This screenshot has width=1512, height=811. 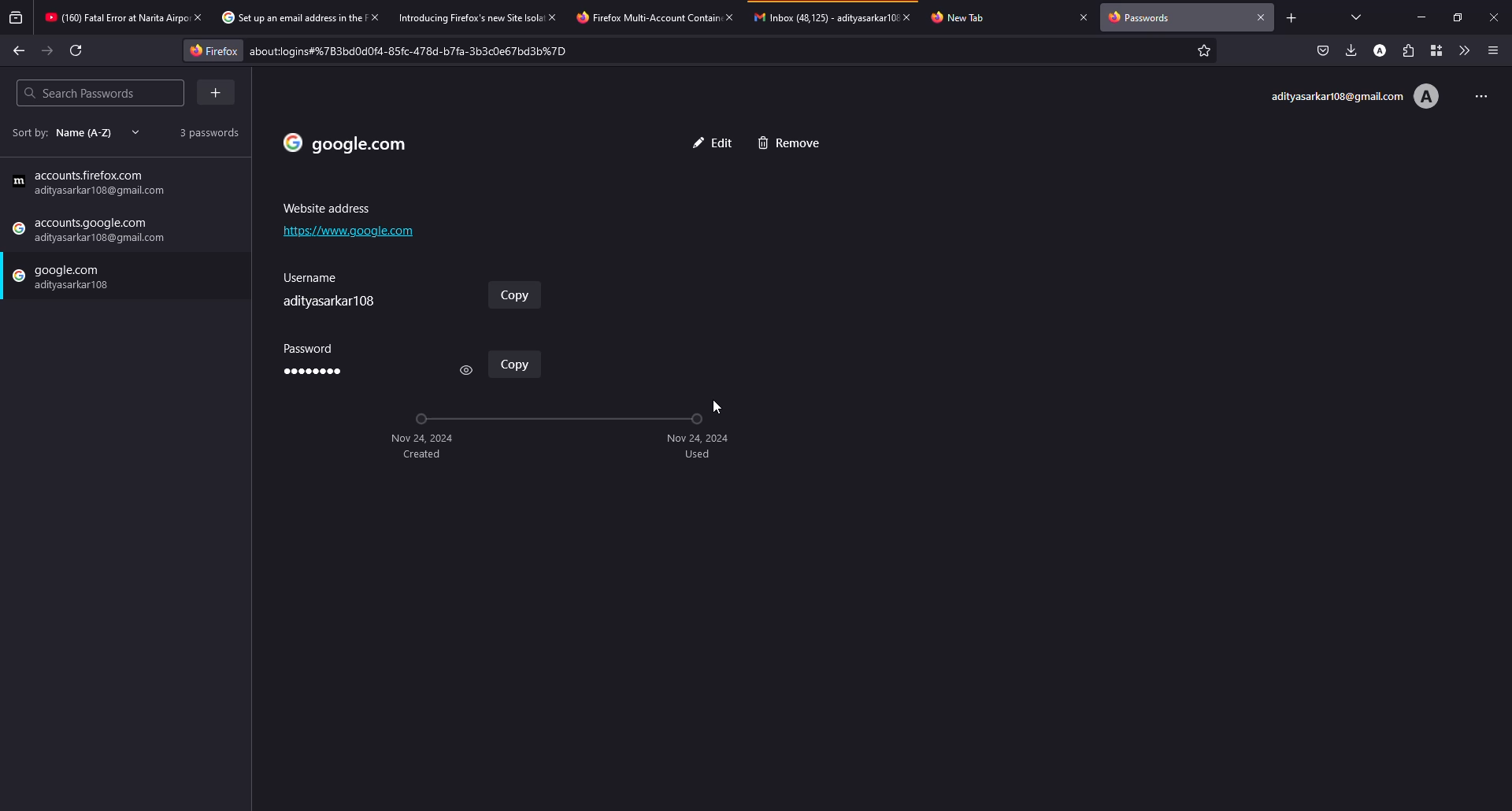 What do you see at coordinates (357, 234) in the screenshot?
I see `address` at bounding box center [357, 234].